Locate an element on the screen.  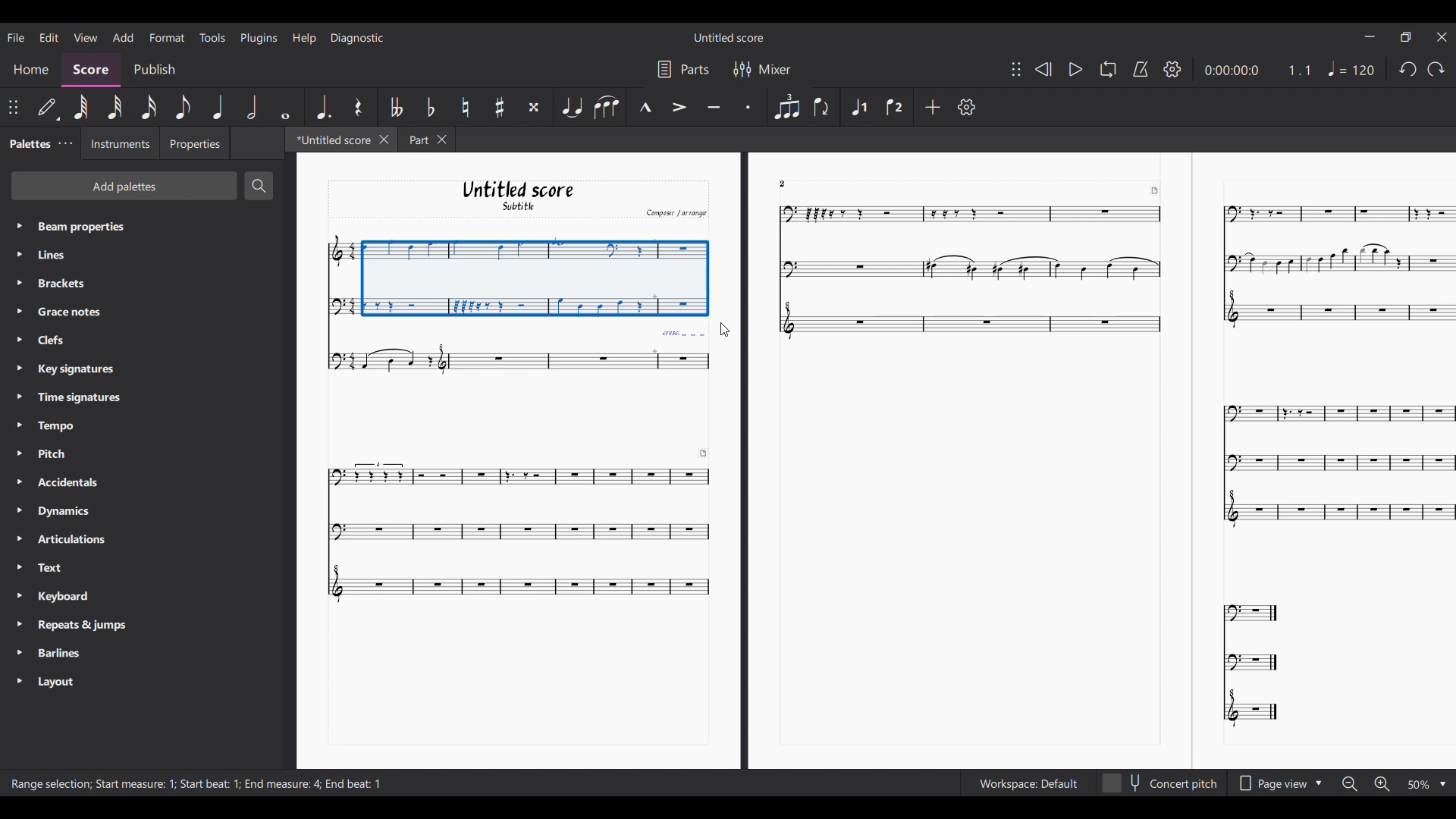
Plugins is located at coordinates (259, 38).